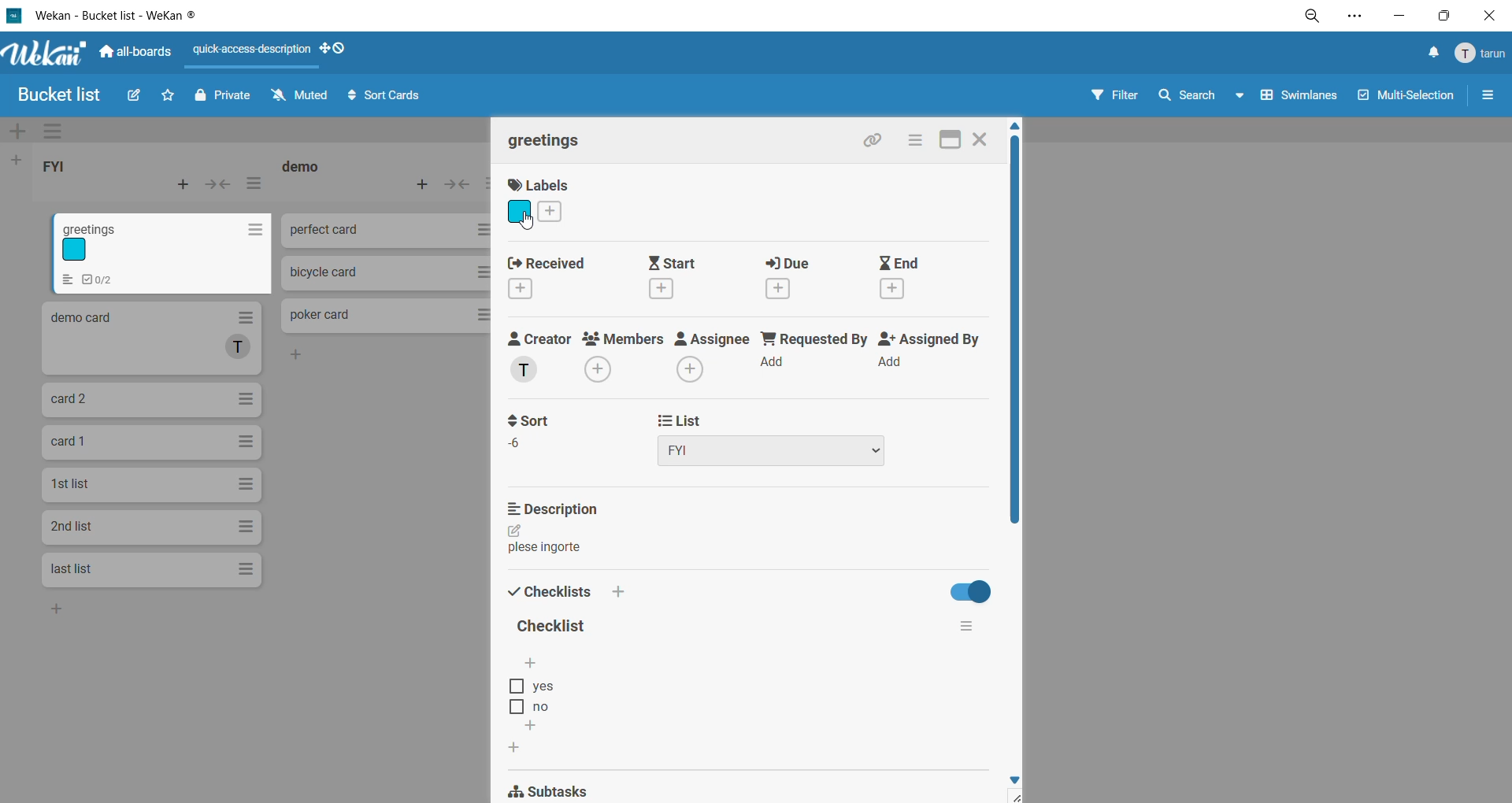 This screenshot has width=1512, height=803. I want to click on maximize, so click(1441, 16).